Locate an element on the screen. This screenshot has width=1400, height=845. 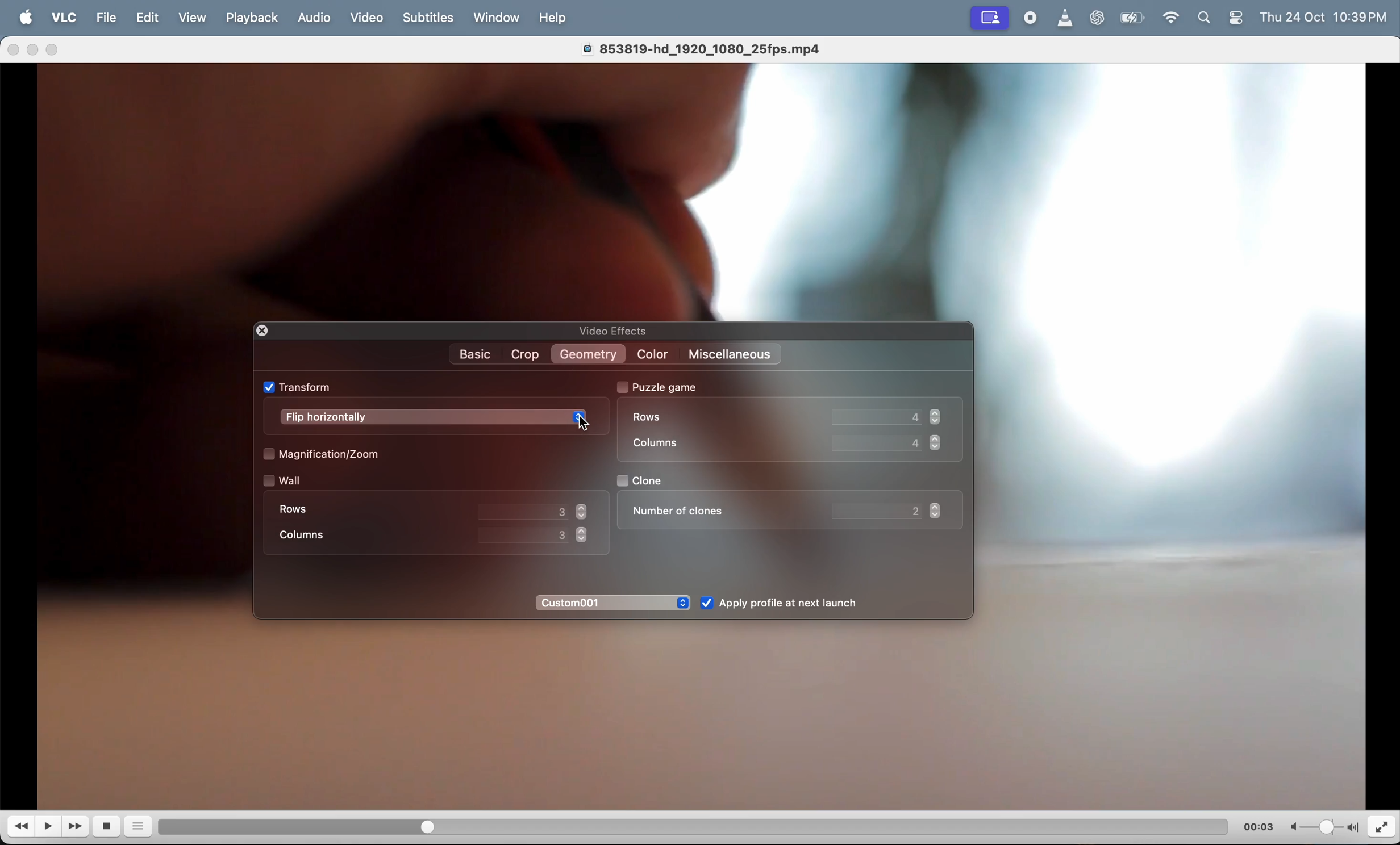
Audio is located at coordinates (315, 19).